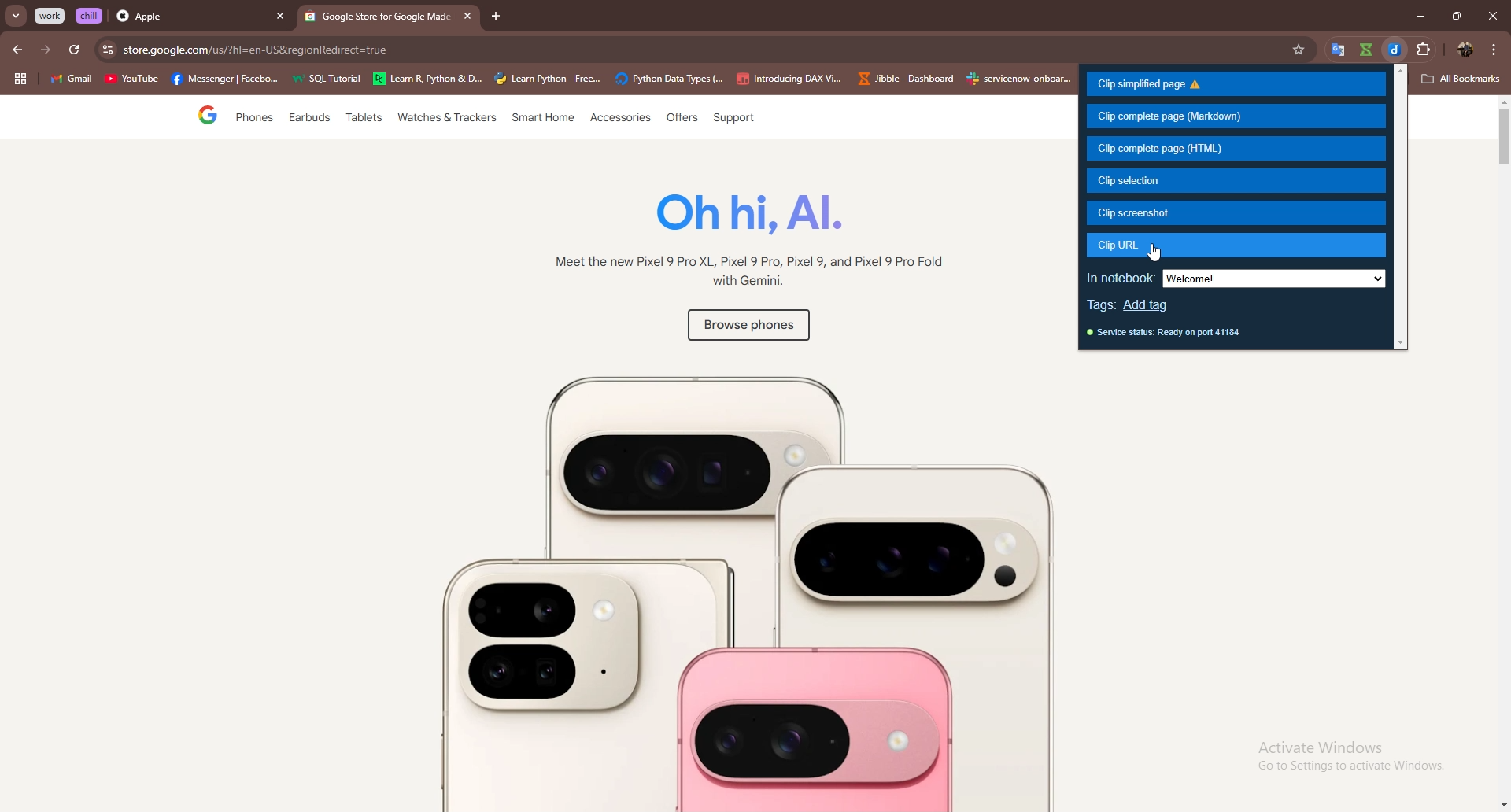  What do you see at coordinates (1235, 181) in the screenshot?
I see `clip selection` at bounding box center [1235, 181].